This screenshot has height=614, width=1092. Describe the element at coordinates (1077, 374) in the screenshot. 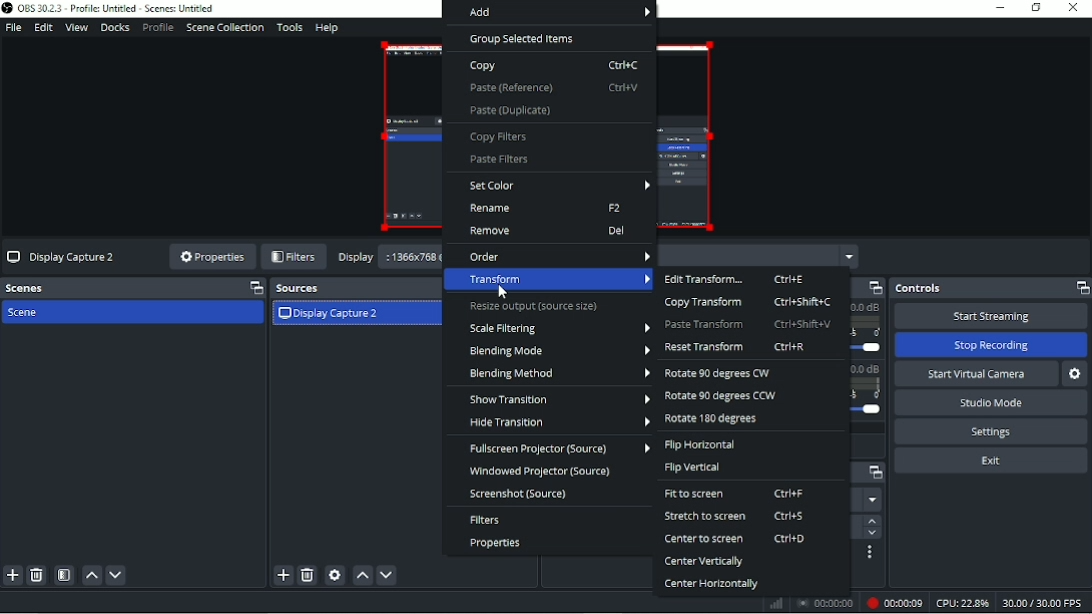

I see `Configure virtual camera` at that location.